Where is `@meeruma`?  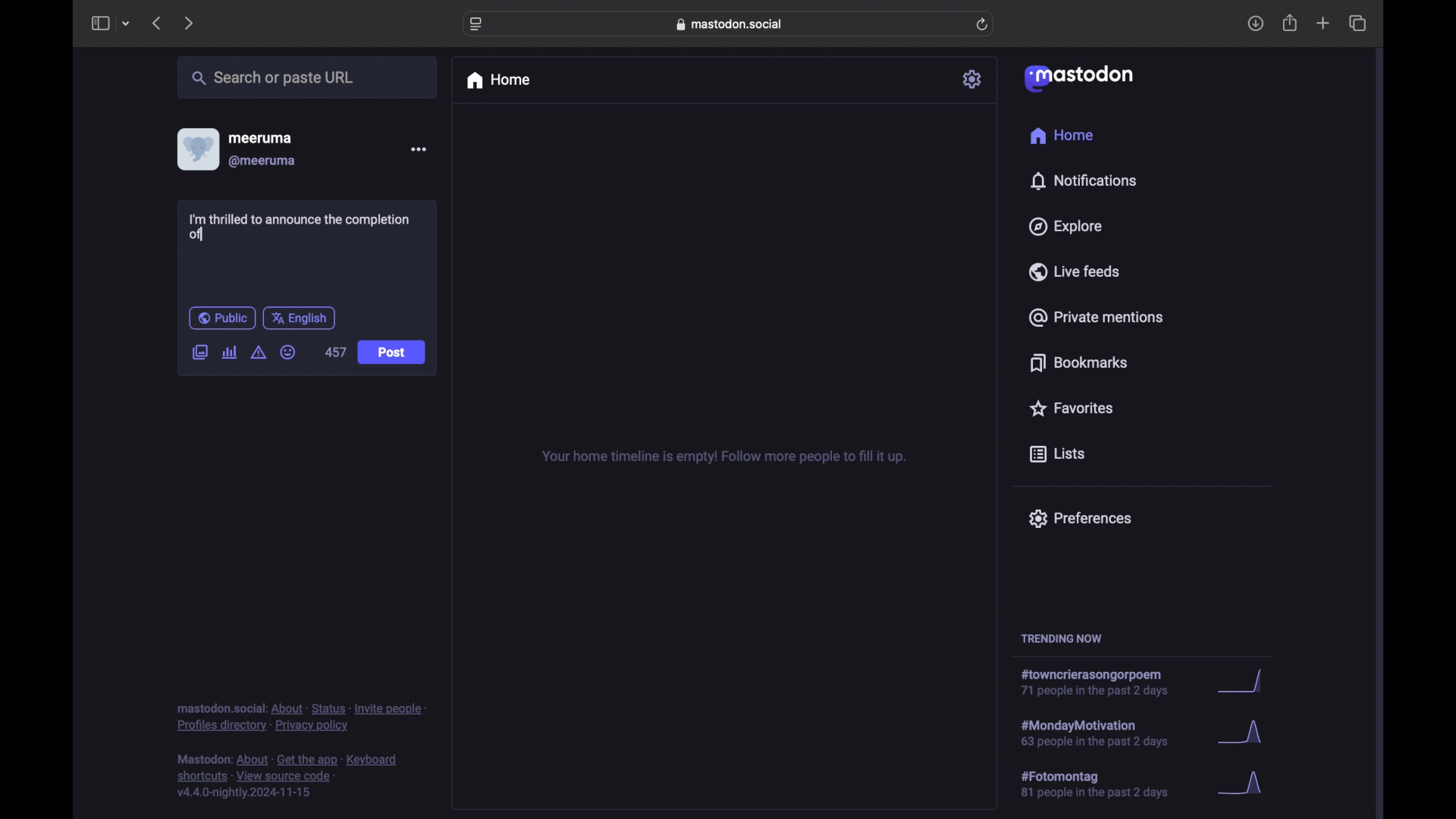 @meeruma is located at coordinates (264, 162).